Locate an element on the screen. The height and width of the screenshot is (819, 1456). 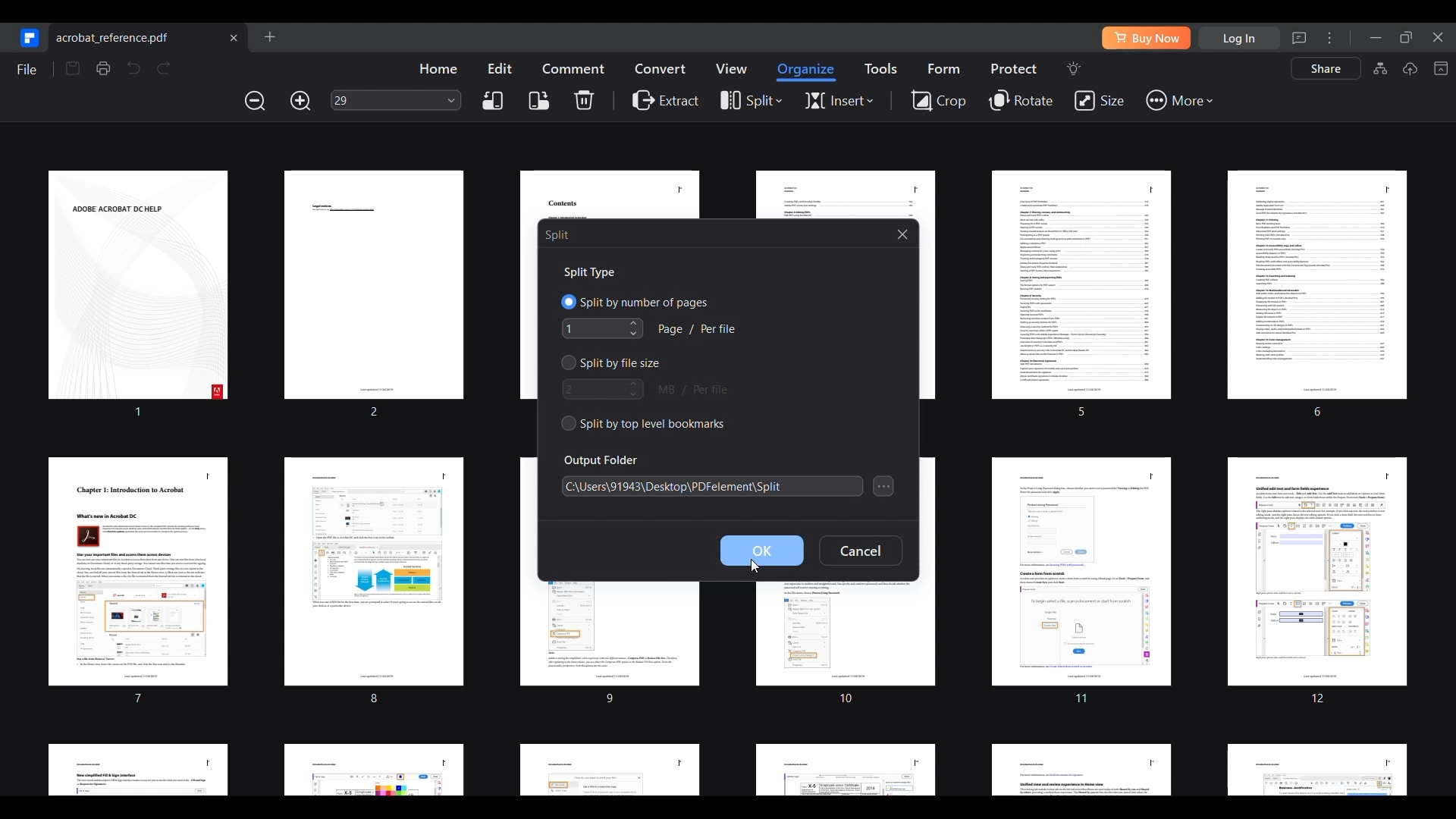
Zoom out is located at coordinates (256, 100).